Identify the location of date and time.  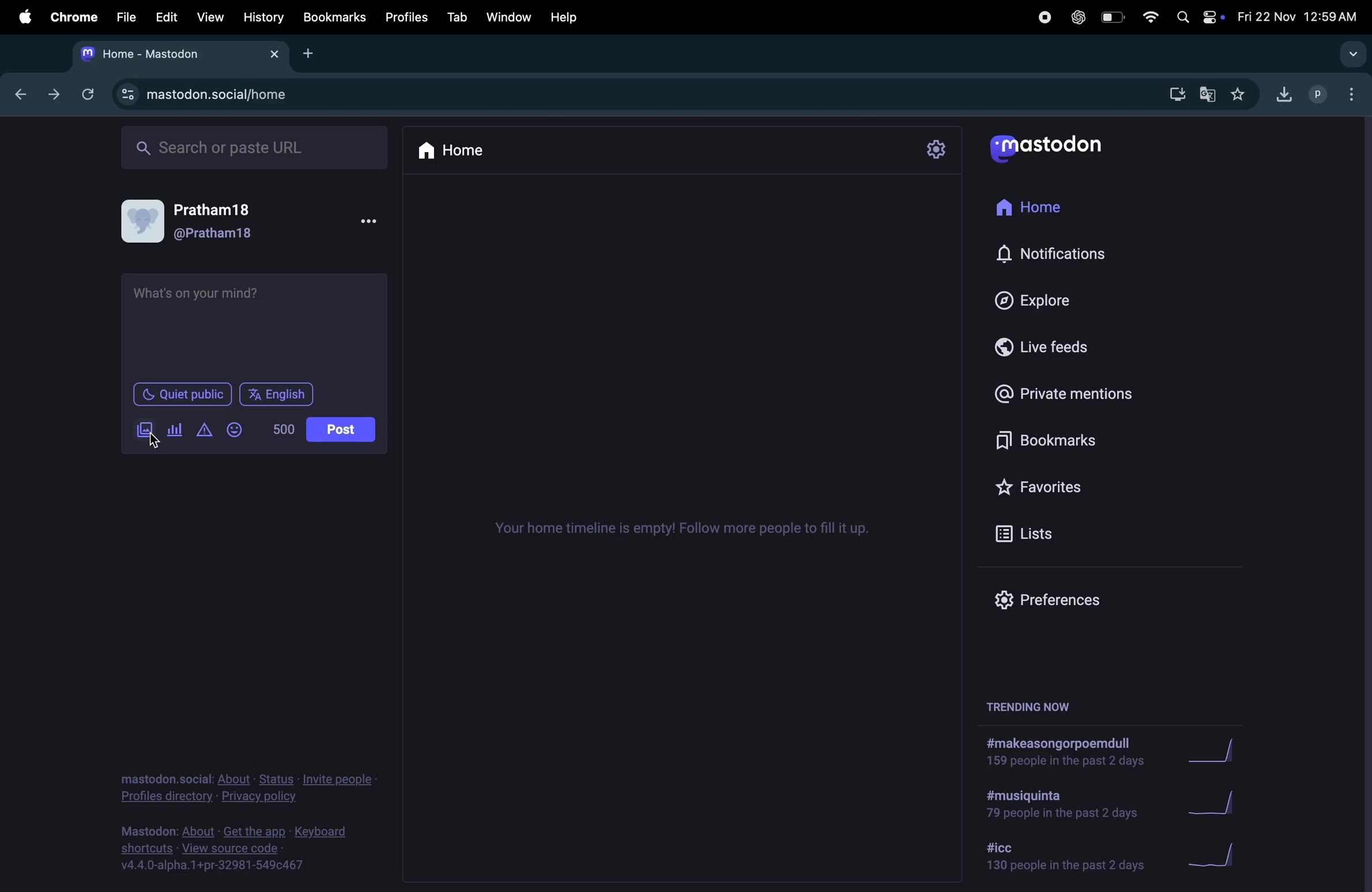
(1301, 14).